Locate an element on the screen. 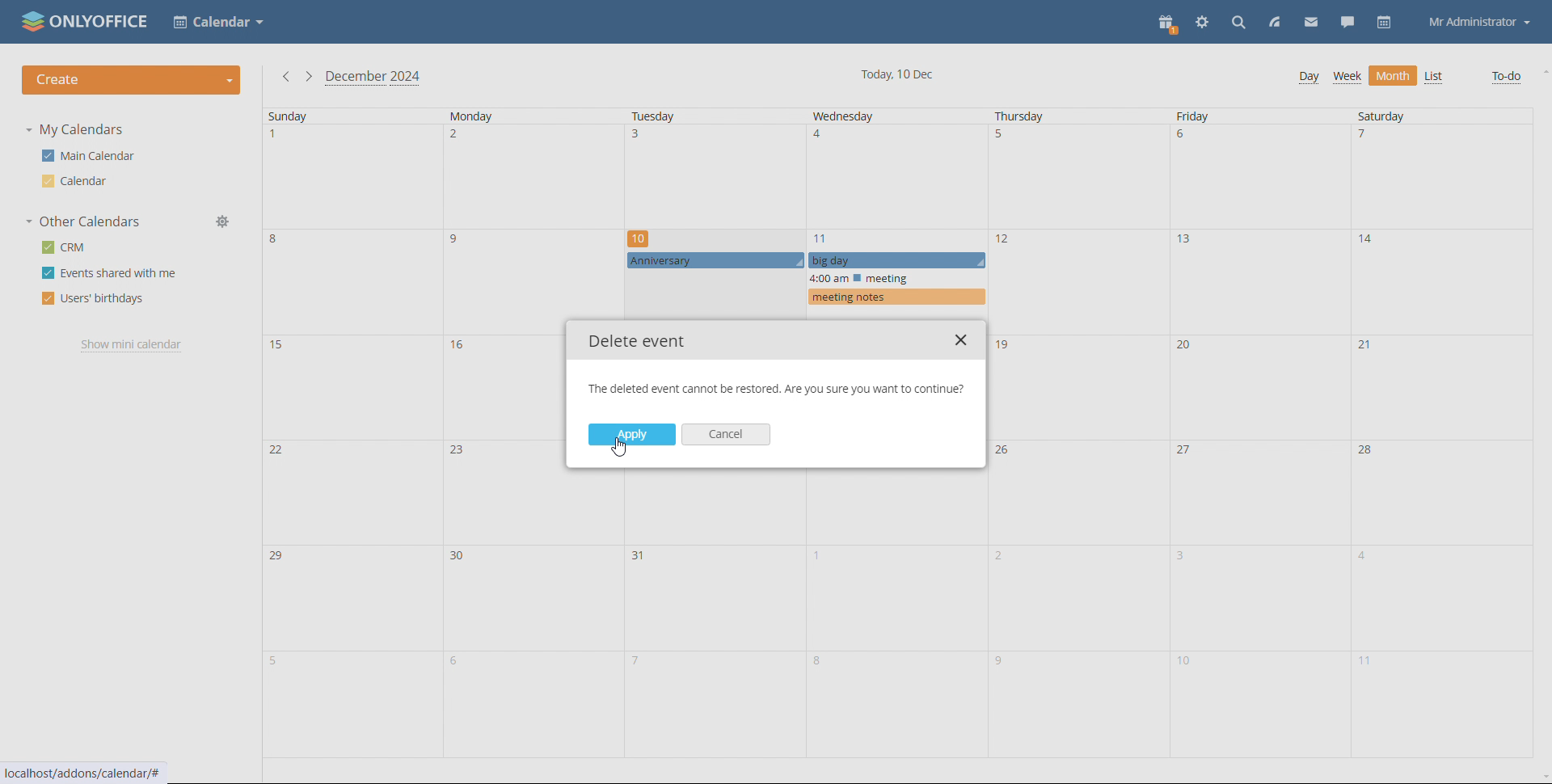 Image resolution: width=1552 pixels, height=784 pixels. Tuesday is located at coordinates (712, 166).